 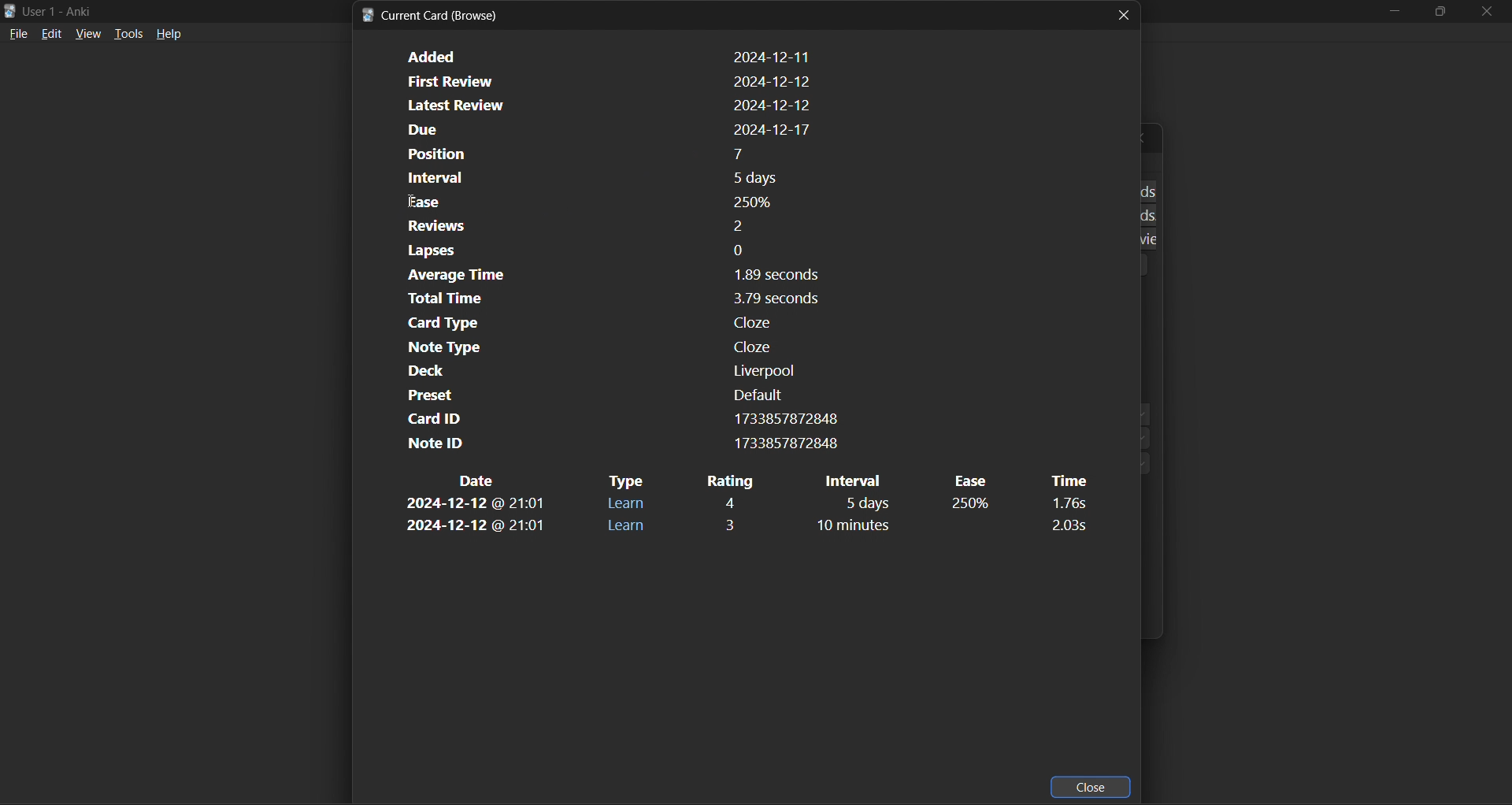 I want to click on rating, so click(x=729, y=480).